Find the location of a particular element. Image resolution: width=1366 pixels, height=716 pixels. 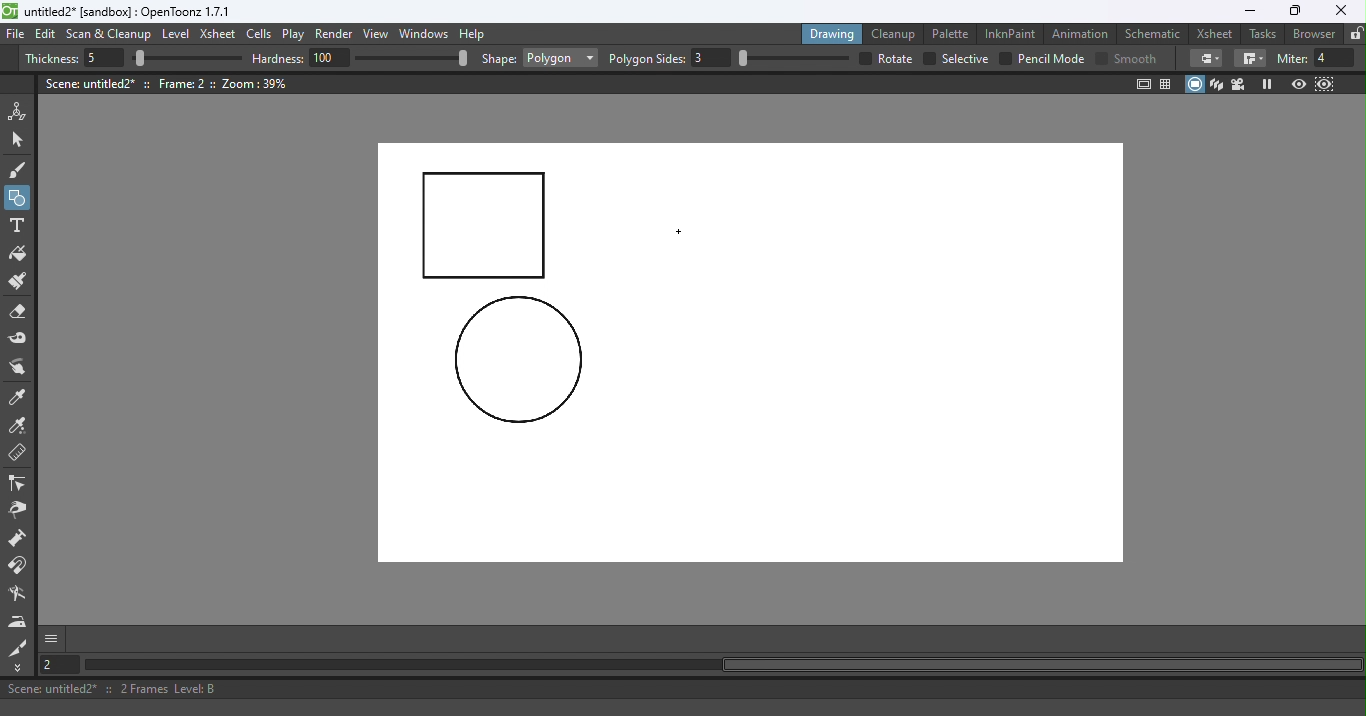

Animate tool is located at coordinates (21, 111).